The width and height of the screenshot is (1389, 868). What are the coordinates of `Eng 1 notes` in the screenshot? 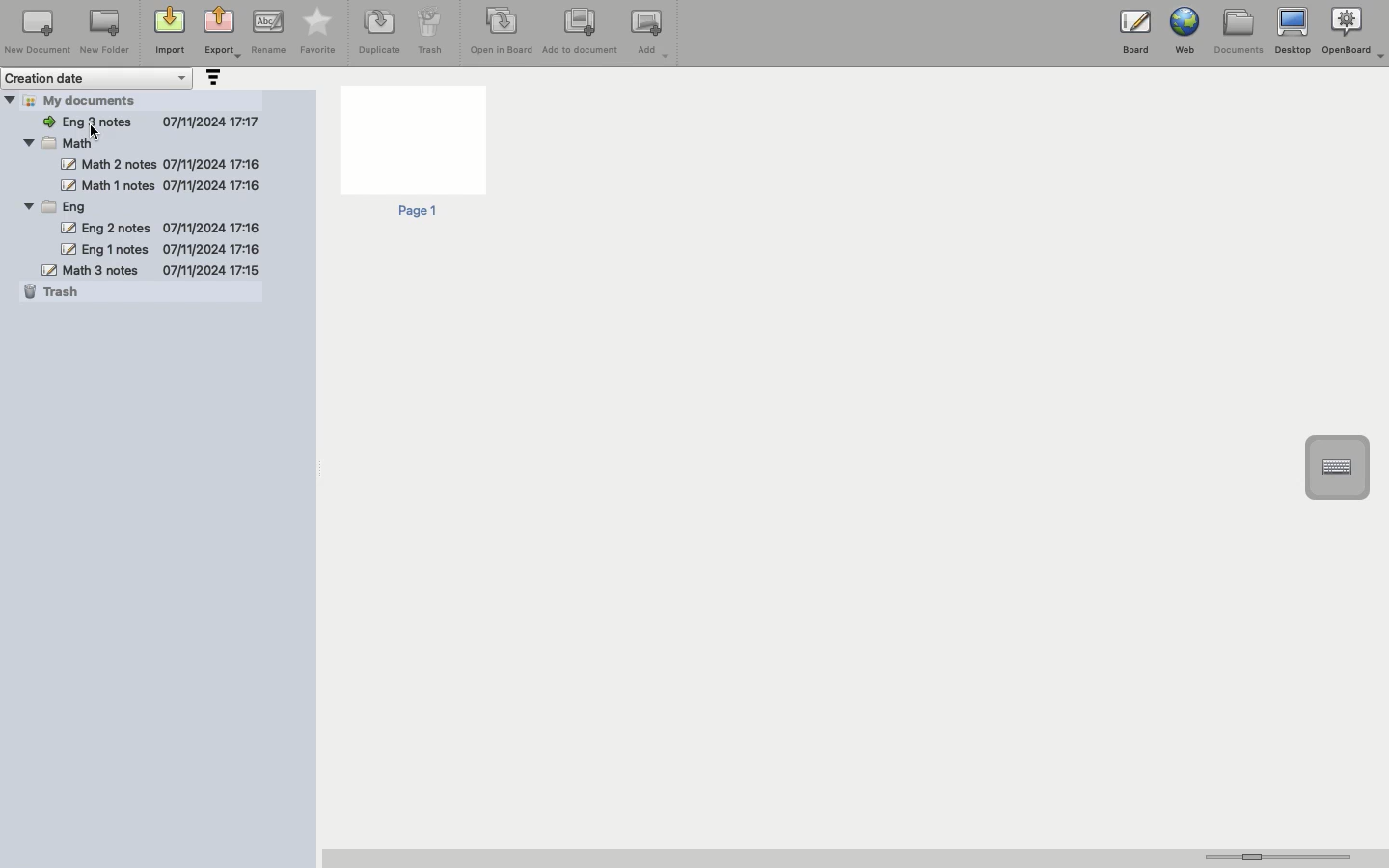 It's located at (159, 249).